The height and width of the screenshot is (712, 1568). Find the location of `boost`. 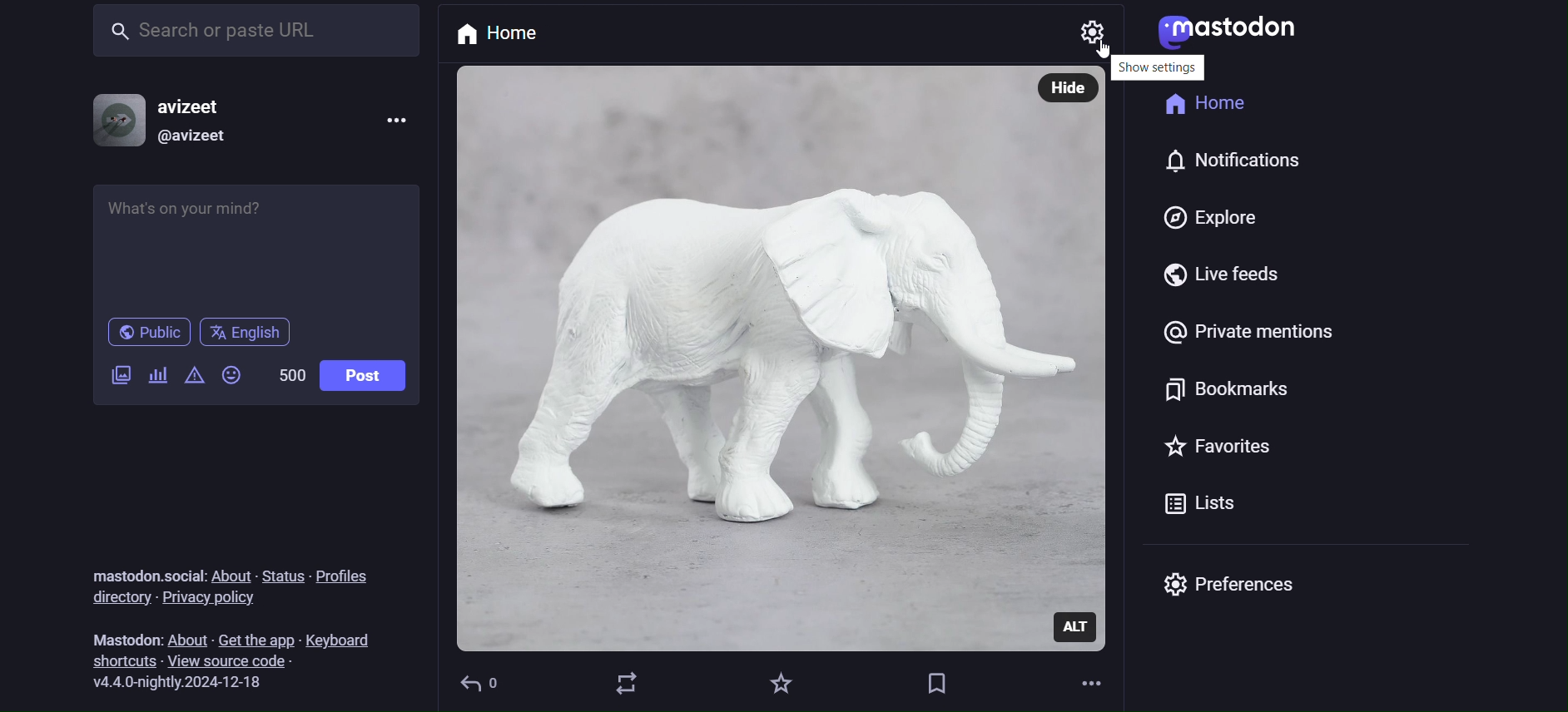

boost is located at coordinates (628, 683).